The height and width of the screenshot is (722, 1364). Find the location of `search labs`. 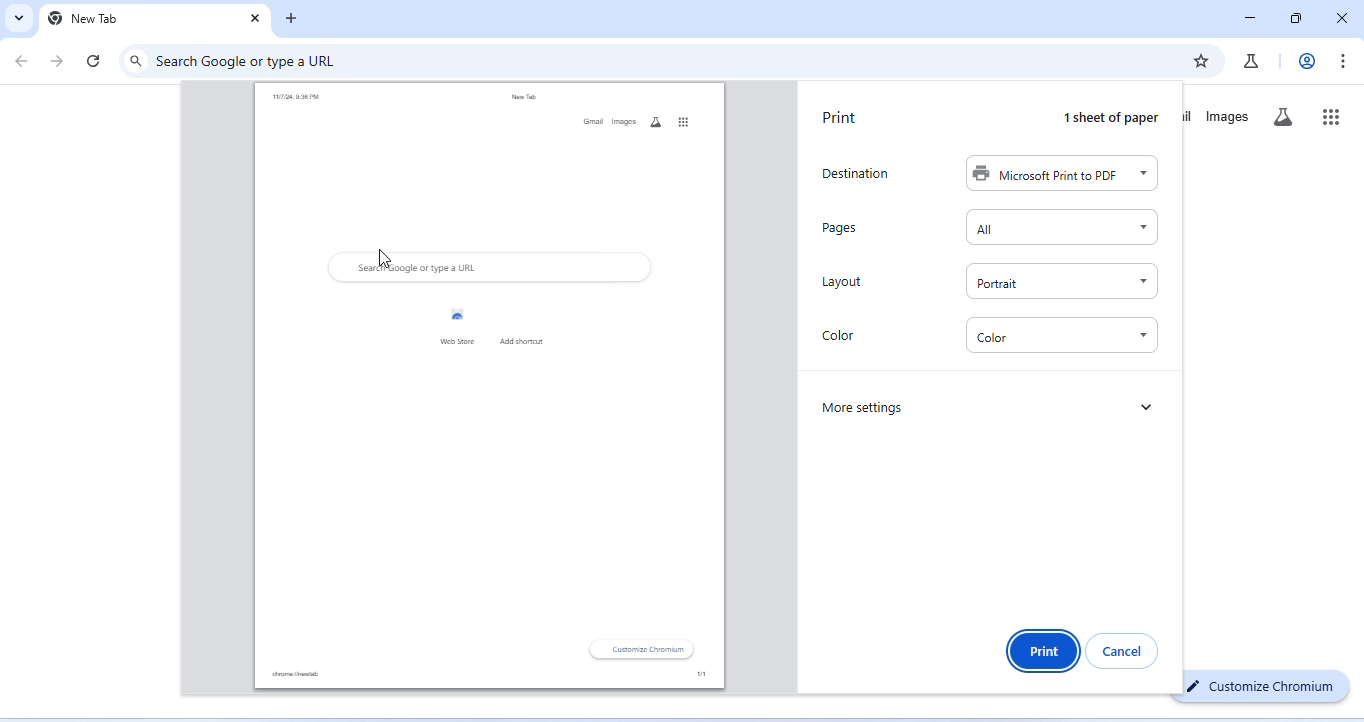

search labs is located at coordinates (652, 122).